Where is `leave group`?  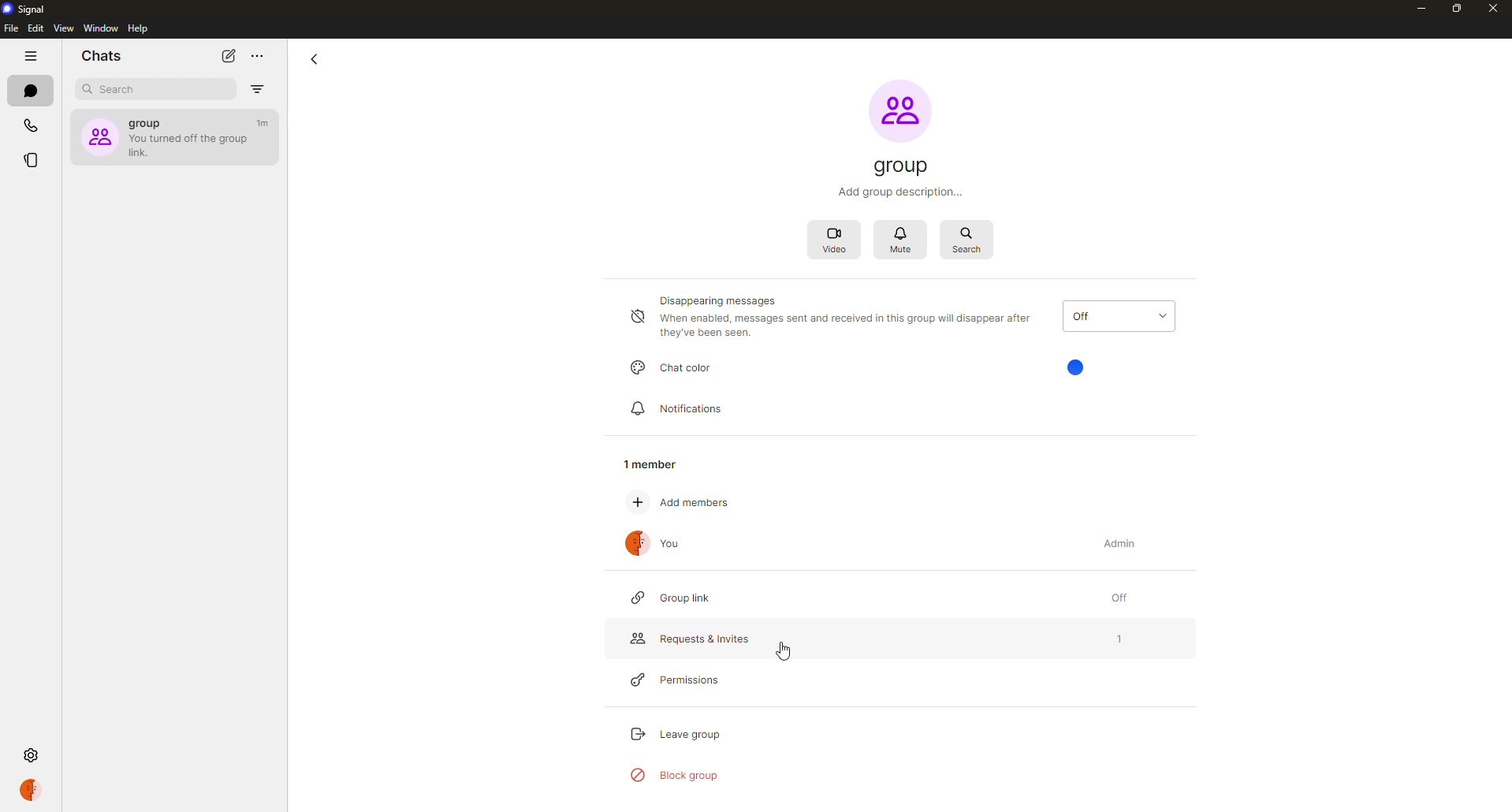 leave group is located at coordinates (677, 732).